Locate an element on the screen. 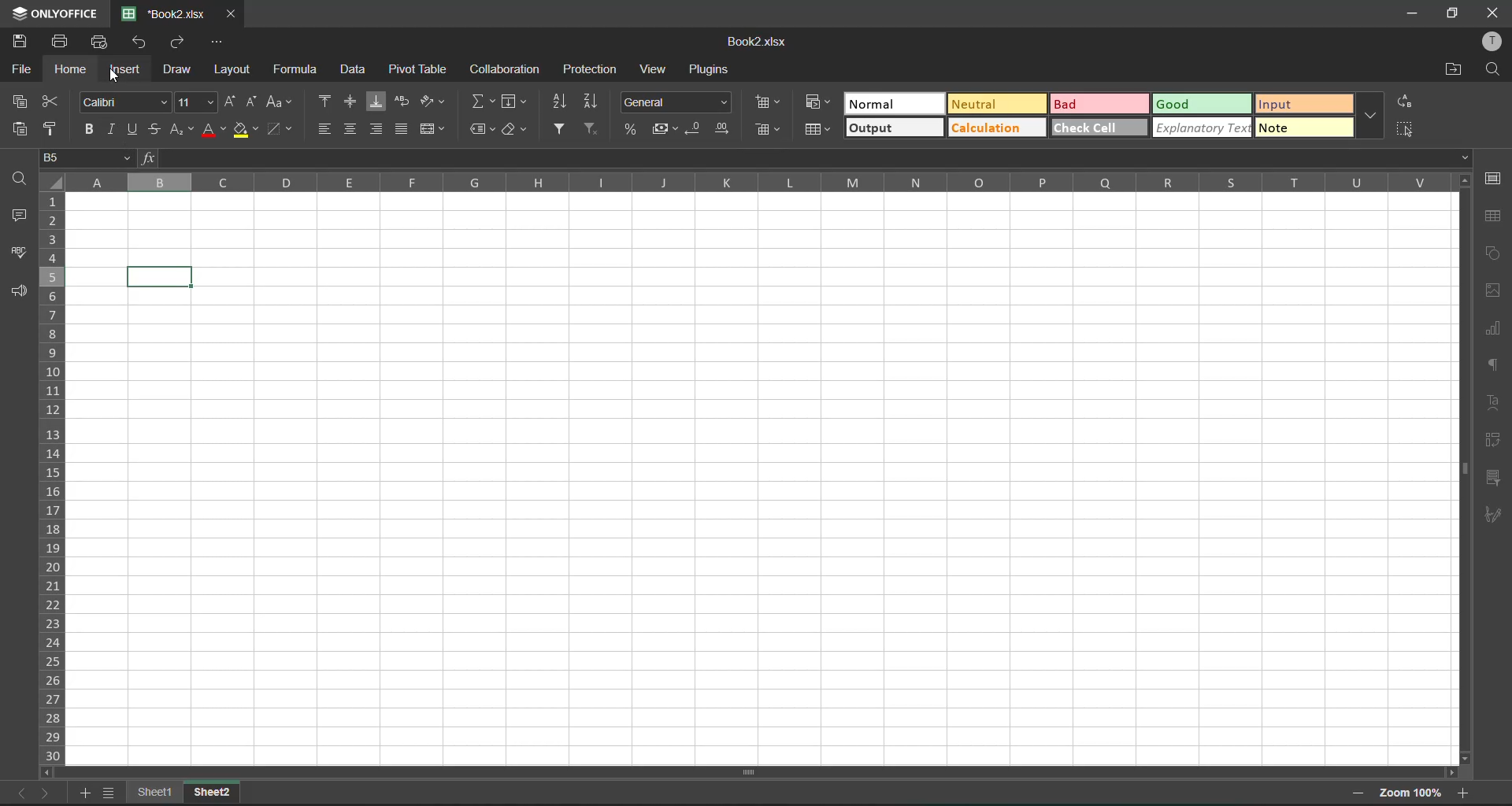 The height and width of the screenshot is (806, 1512). maximize is located at coordinates (1451, 15).